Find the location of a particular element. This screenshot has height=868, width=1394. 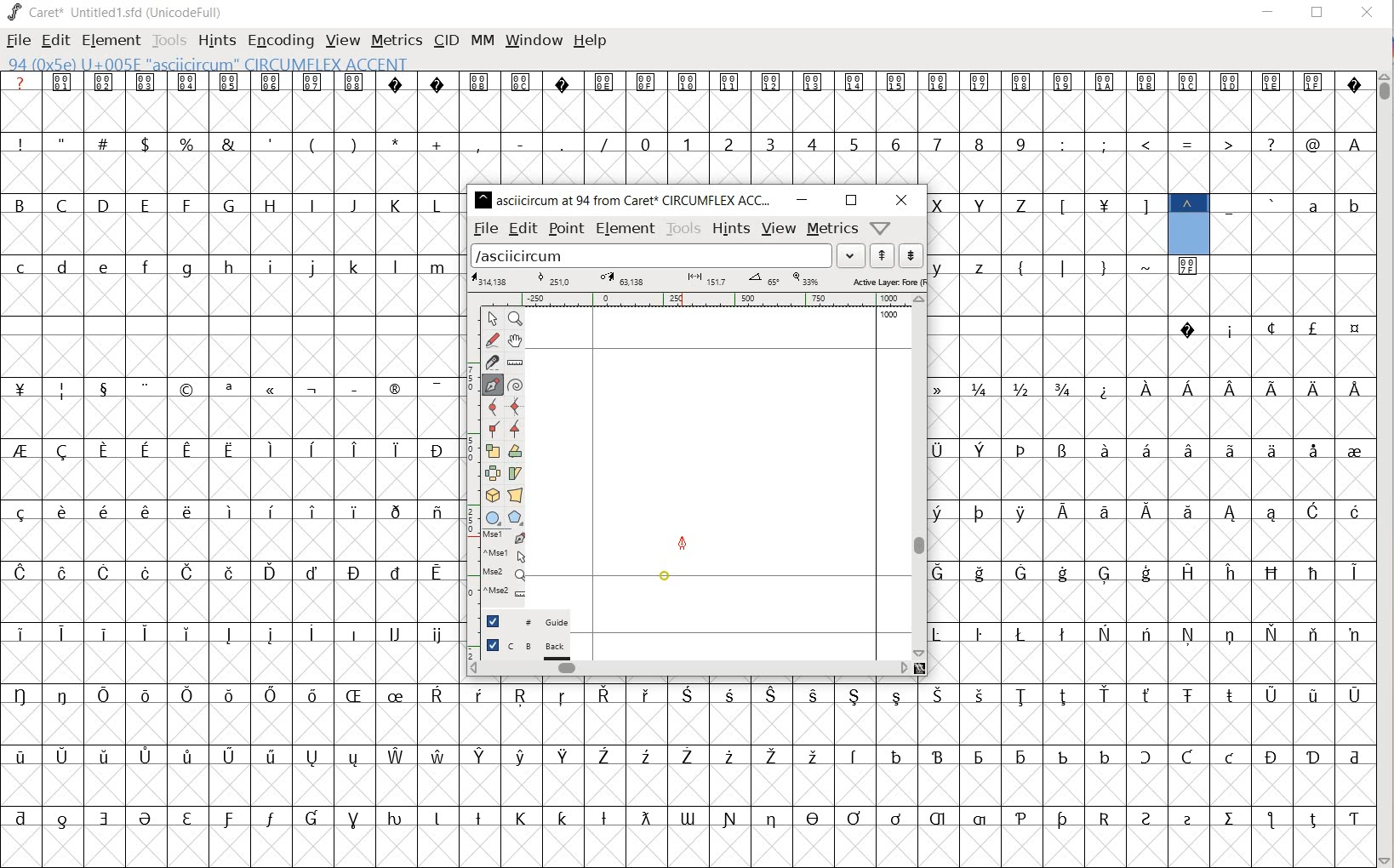

rotate the selection in 3D and project back to plane is located at coordinates (490, 494).